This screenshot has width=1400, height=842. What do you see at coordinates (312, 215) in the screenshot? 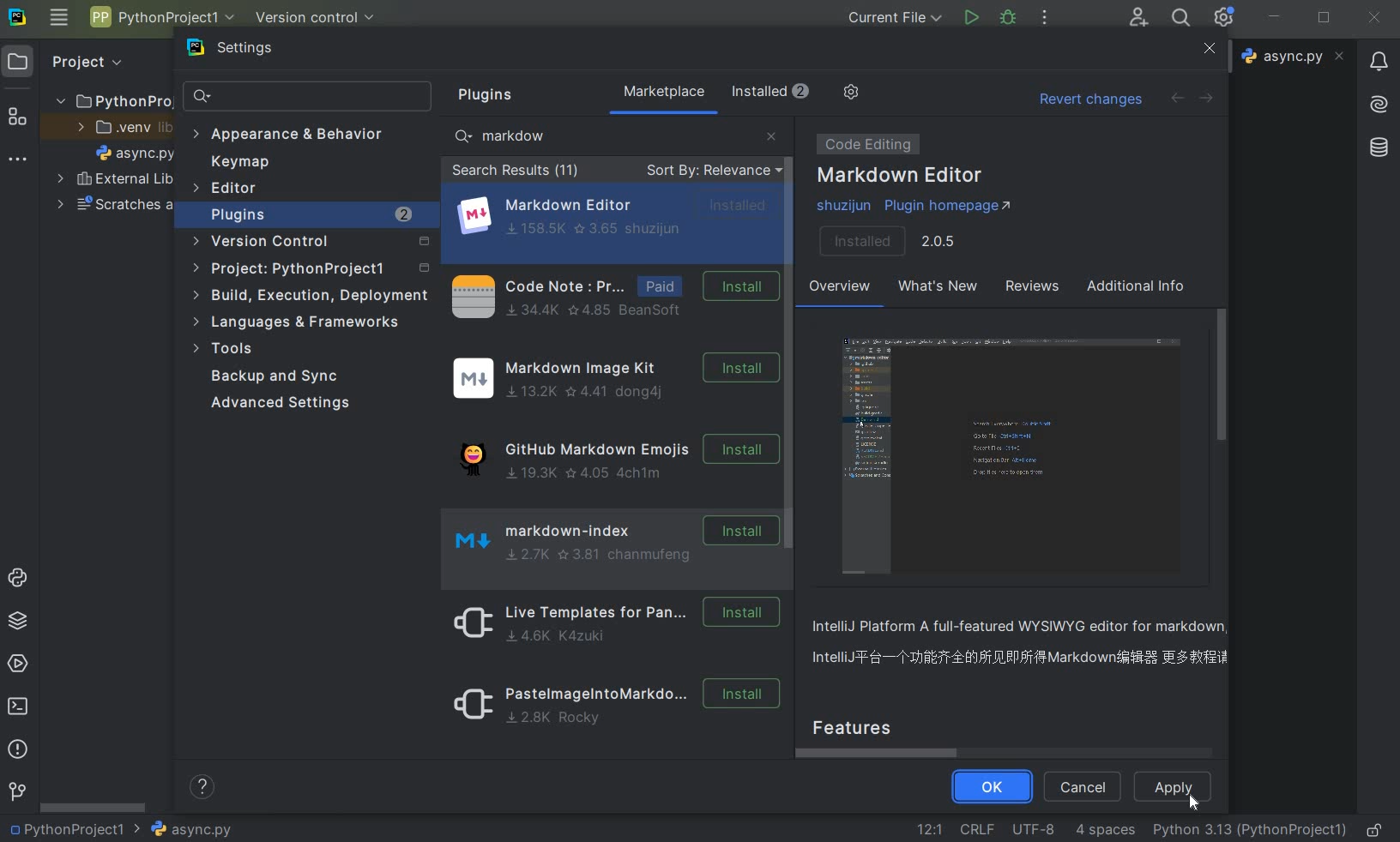
I see `plugins` at bounding box center [312, 215].